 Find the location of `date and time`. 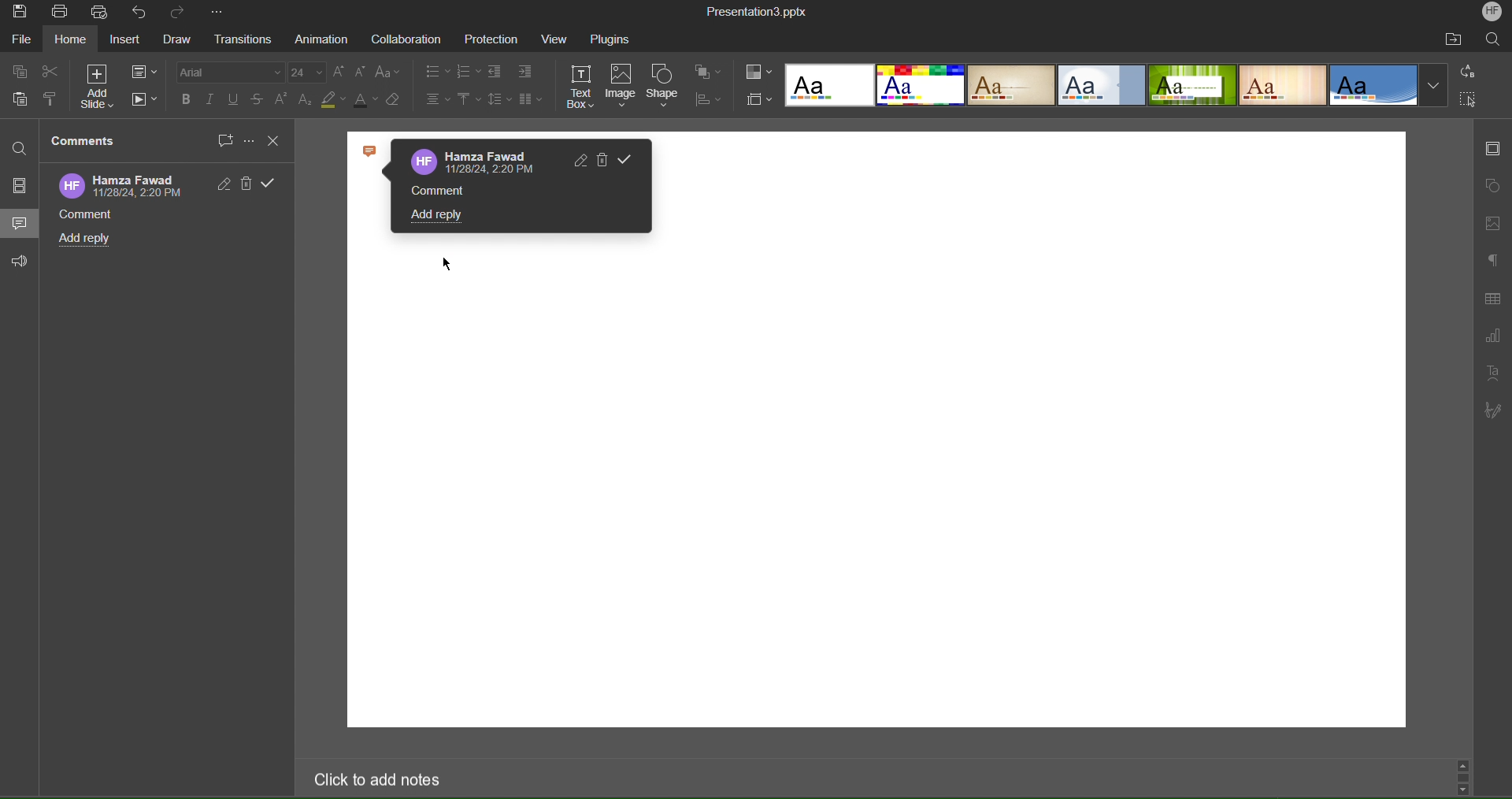

date and time is located at coordinates (140, 194).